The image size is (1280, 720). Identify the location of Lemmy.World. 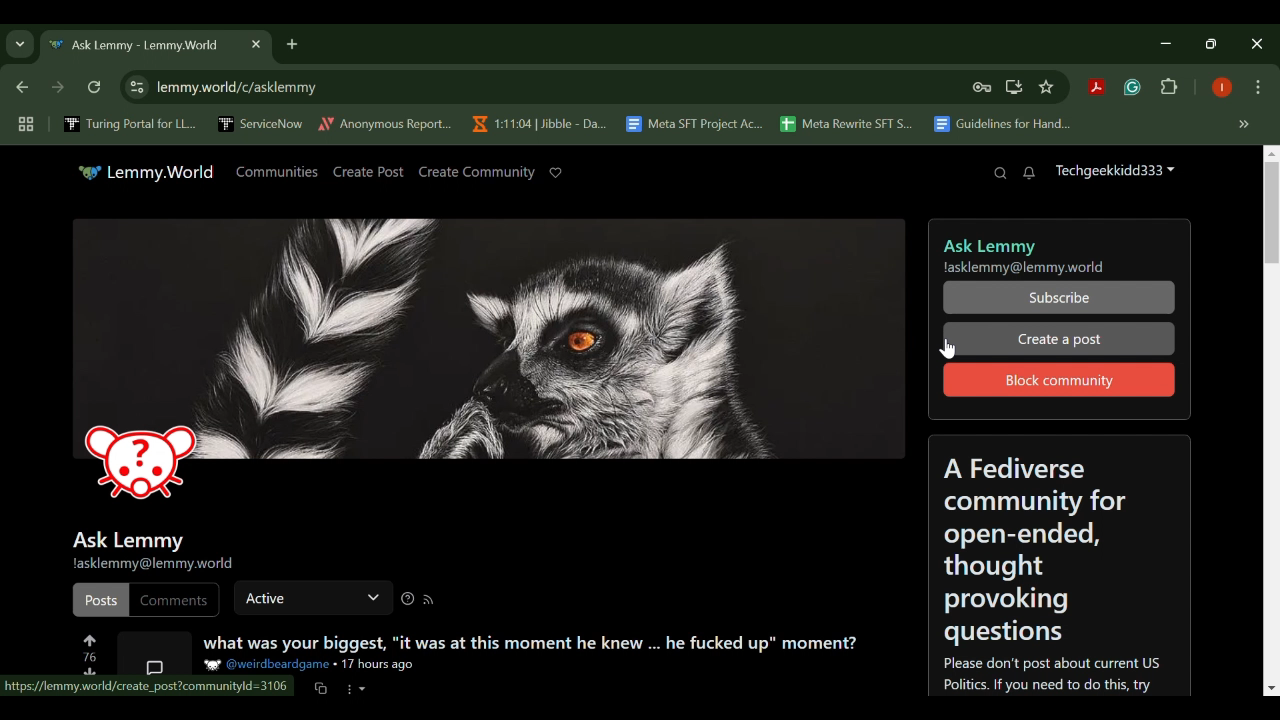
(146, 172).